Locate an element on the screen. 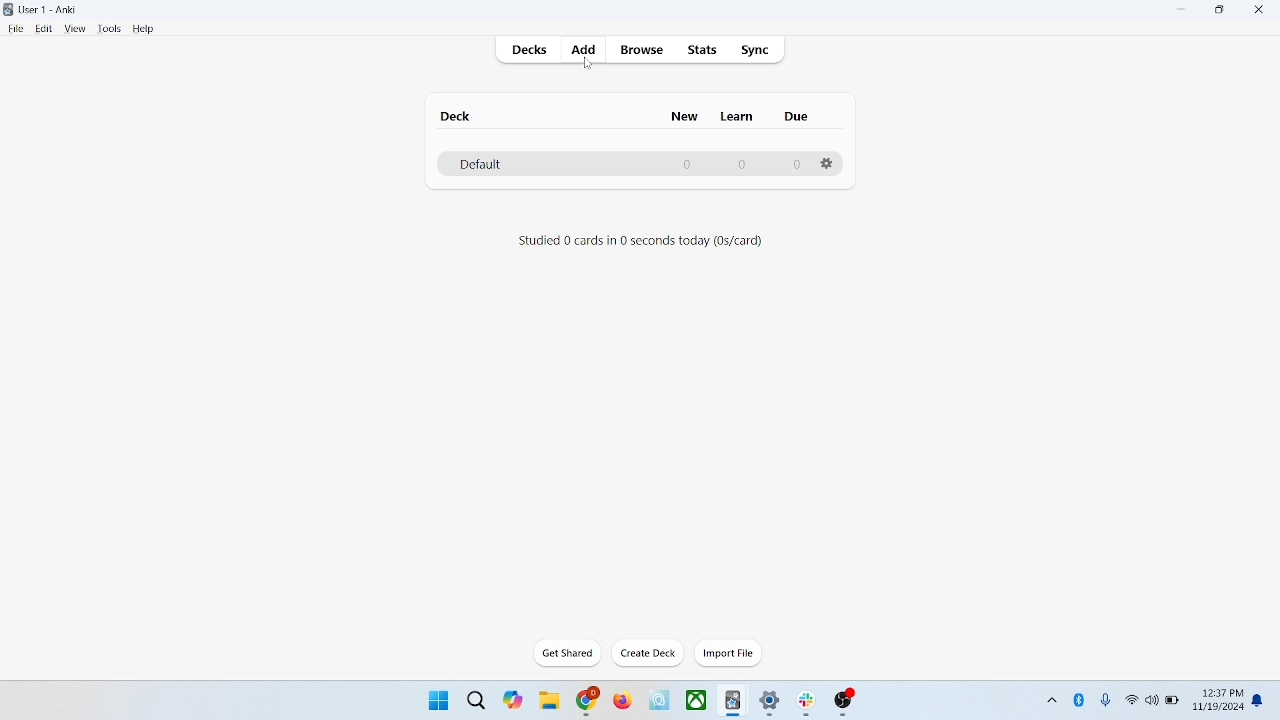  icon is located at coordinates (845, 703).